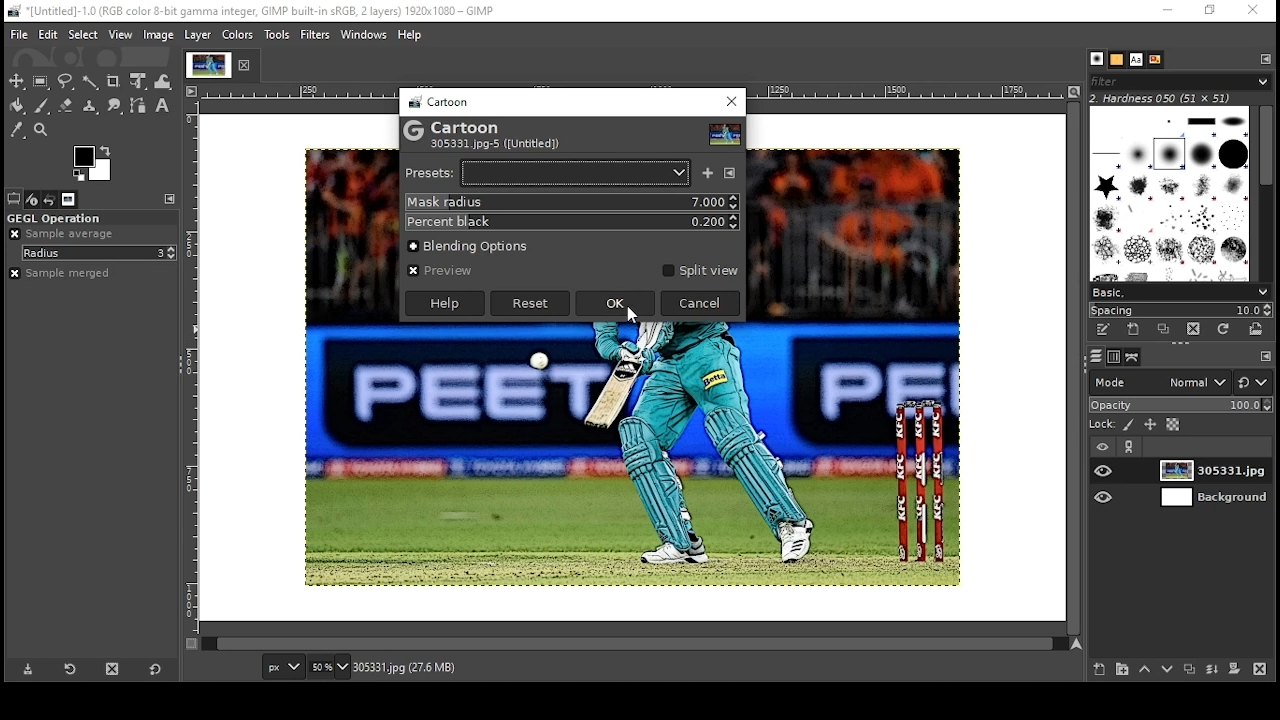  Describe the element at coordinates (530, 304) in the screenshot. I see `reset` at that location.